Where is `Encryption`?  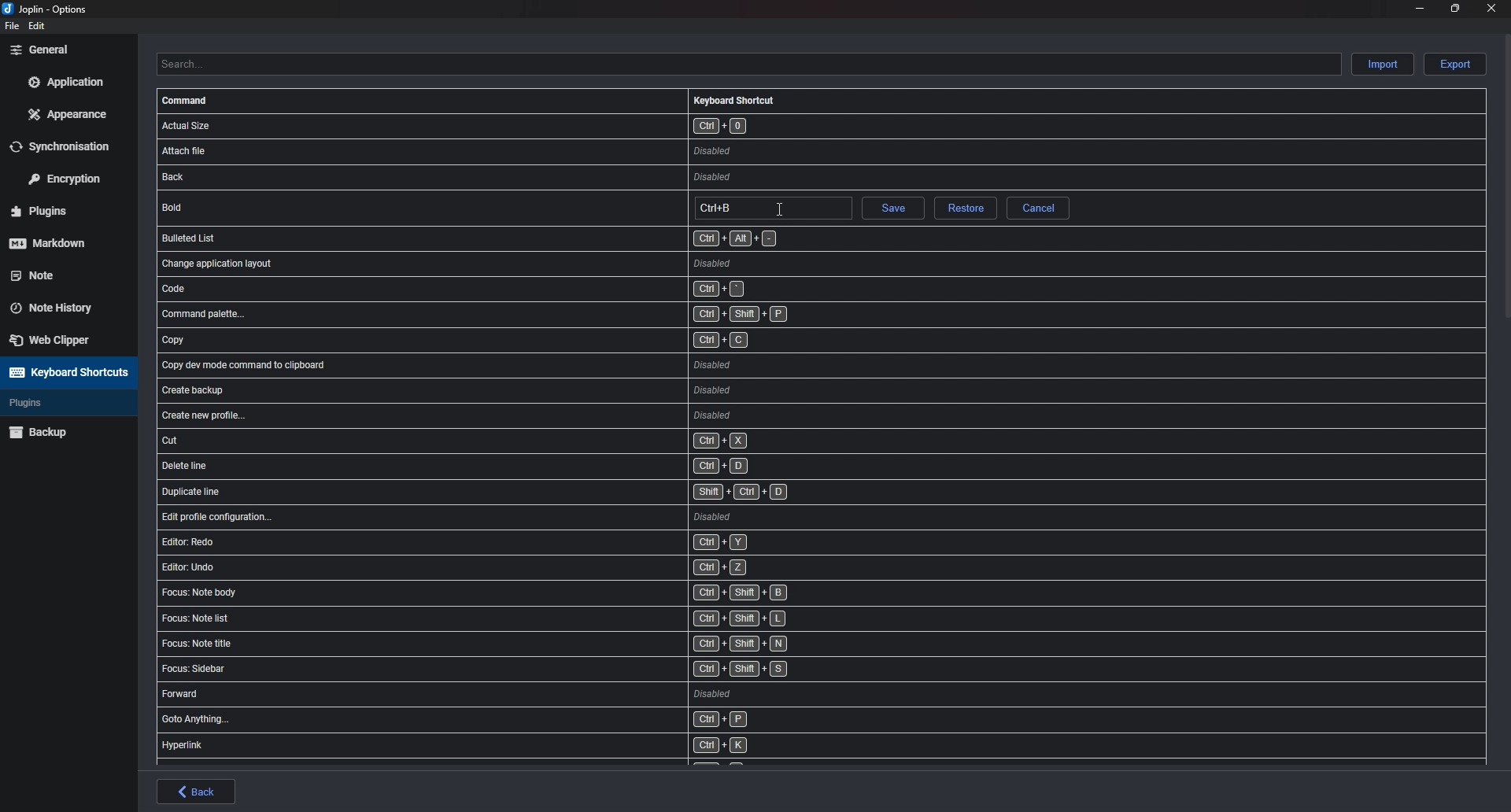
Encryption is located at coordinates (70, 177).